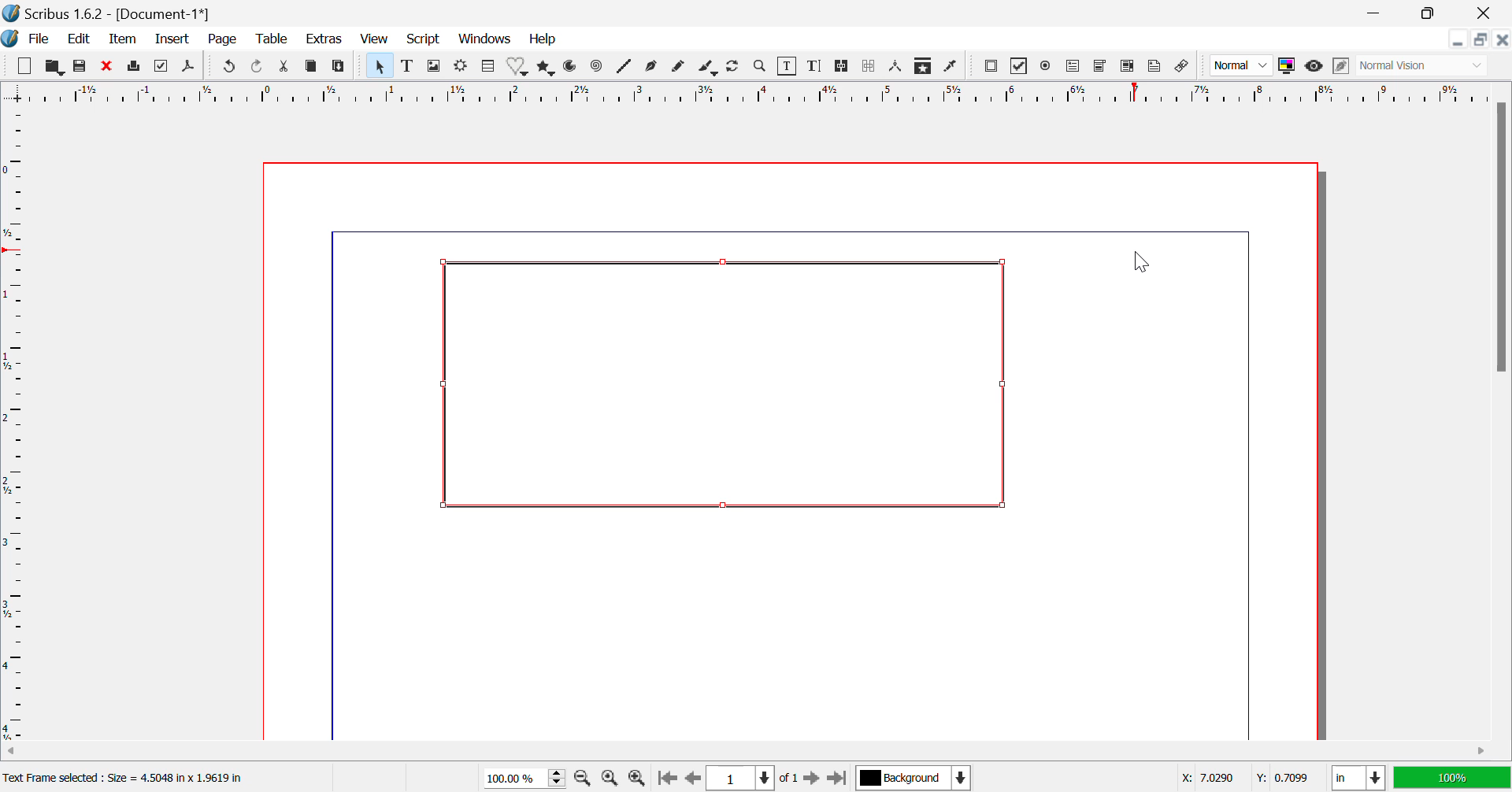  Describe the element at coordinates (1101, 68) in the screenshot. I see `Pdf Combo box` at that location.